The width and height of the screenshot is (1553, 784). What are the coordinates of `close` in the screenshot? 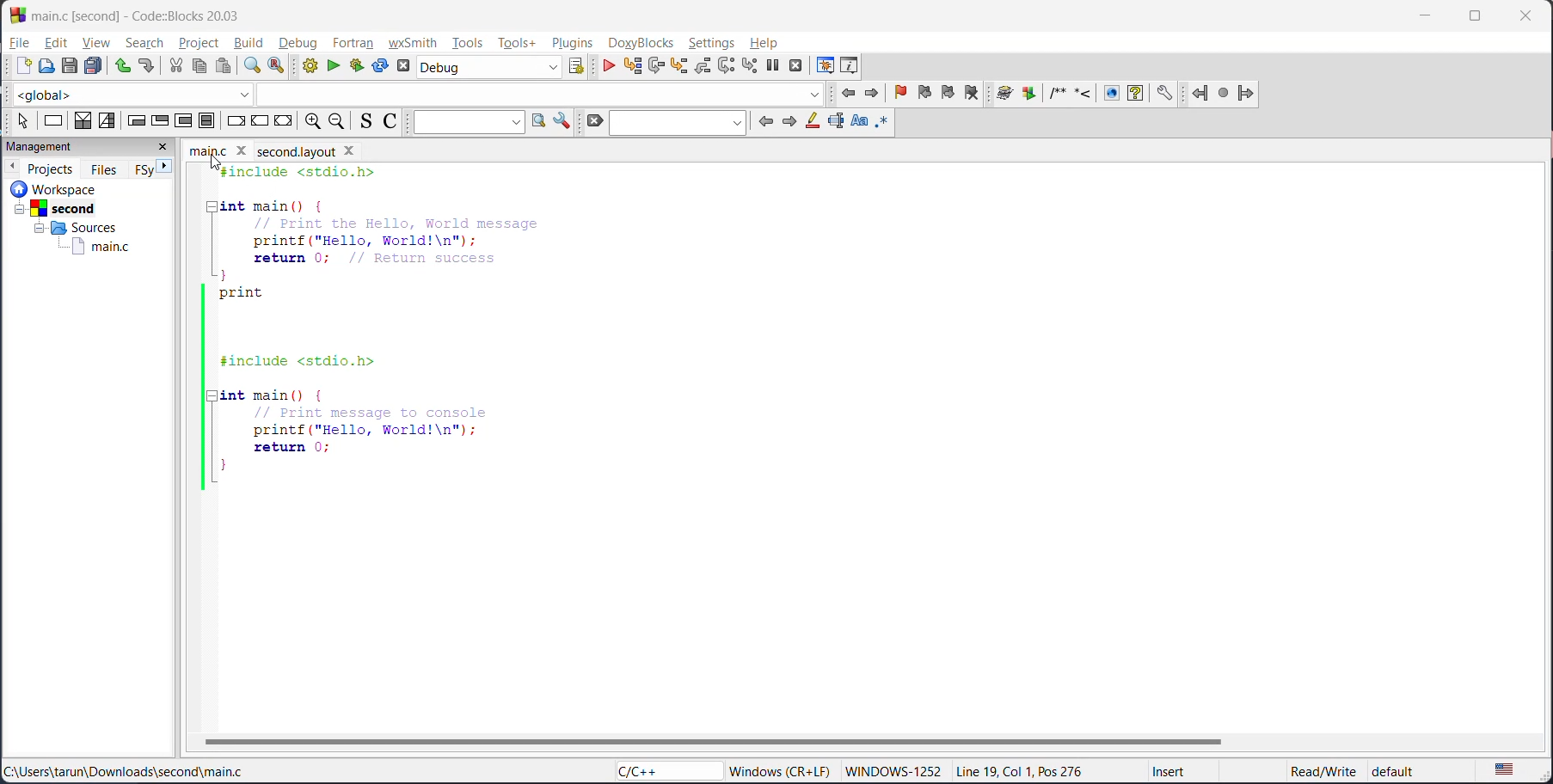 It's located at (1527, 18).